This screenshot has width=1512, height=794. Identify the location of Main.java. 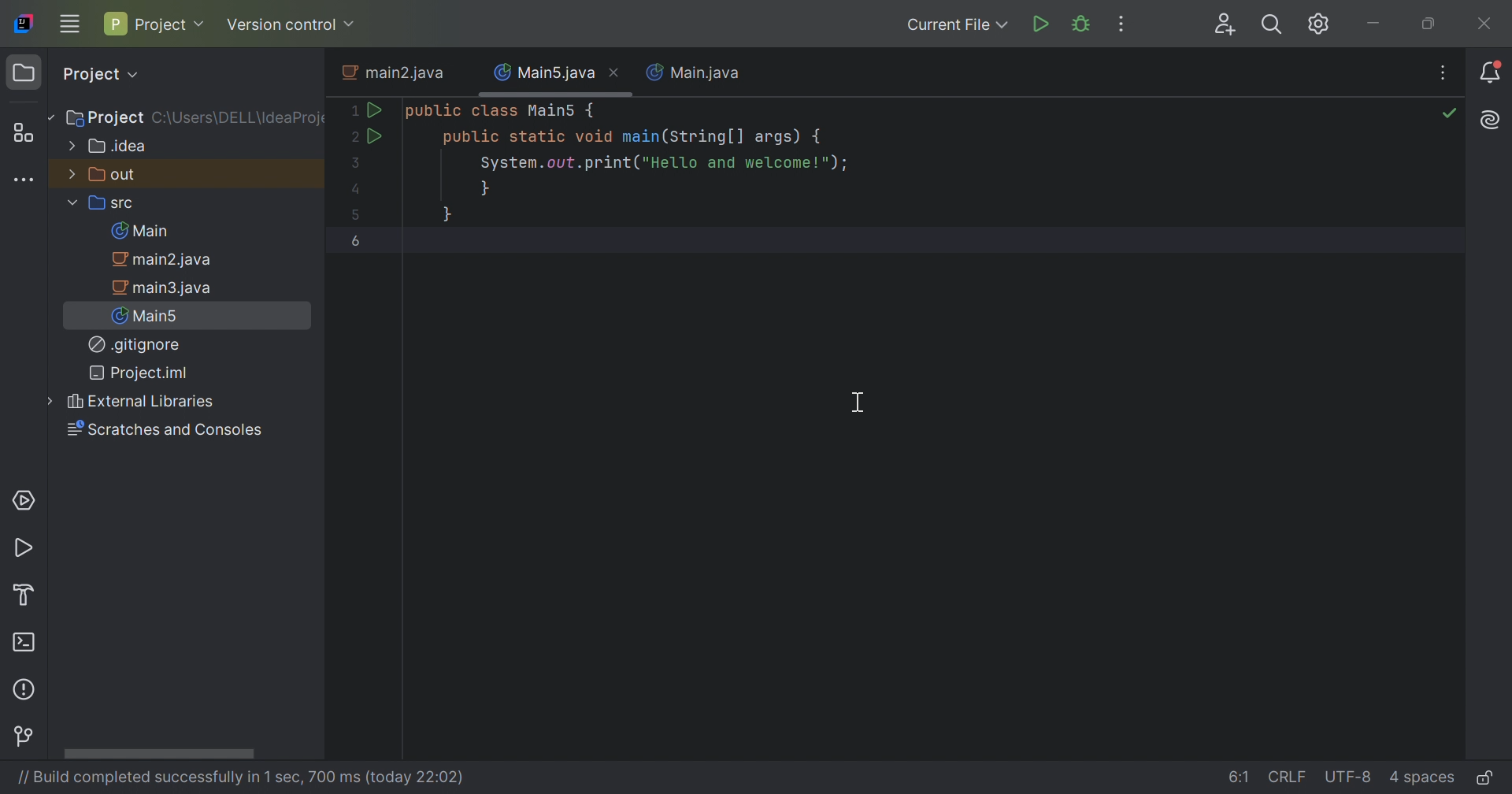
(694, 72).